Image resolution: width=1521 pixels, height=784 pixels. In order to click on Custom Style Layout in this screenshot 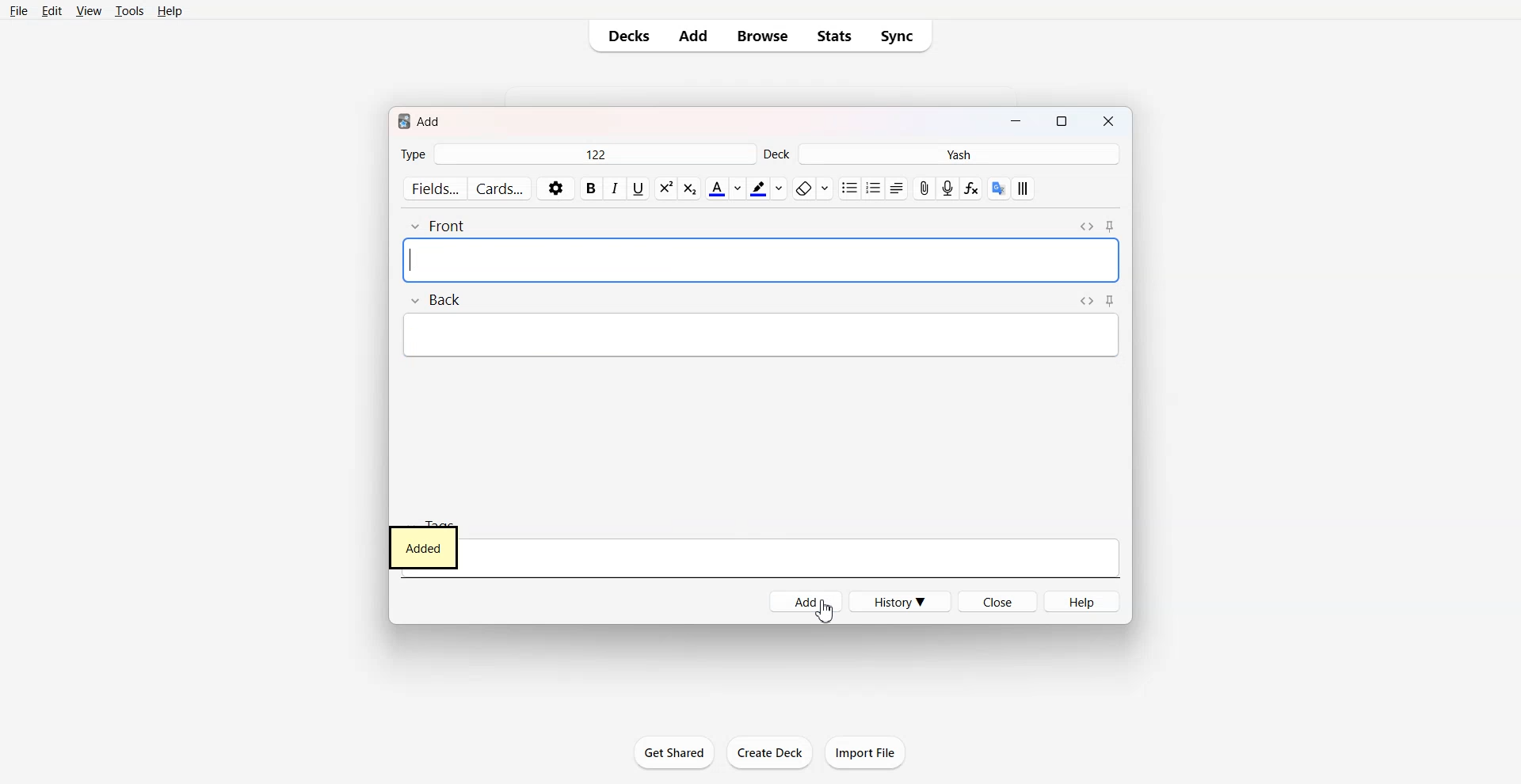, I will do `click(1024, 188)`.